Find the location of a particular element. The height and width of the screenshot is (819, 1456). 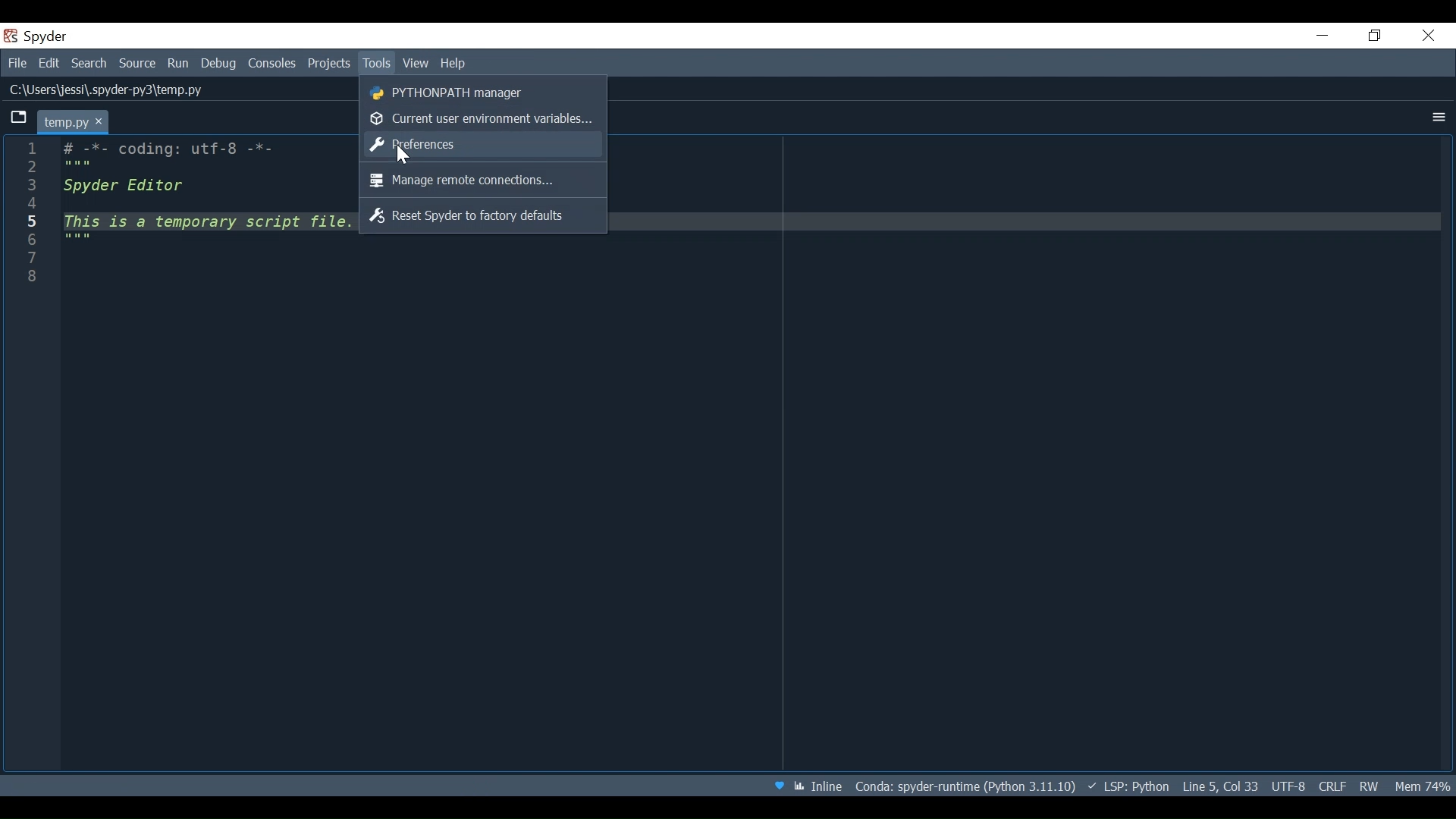

Edit is located at coordinates (49, 64).